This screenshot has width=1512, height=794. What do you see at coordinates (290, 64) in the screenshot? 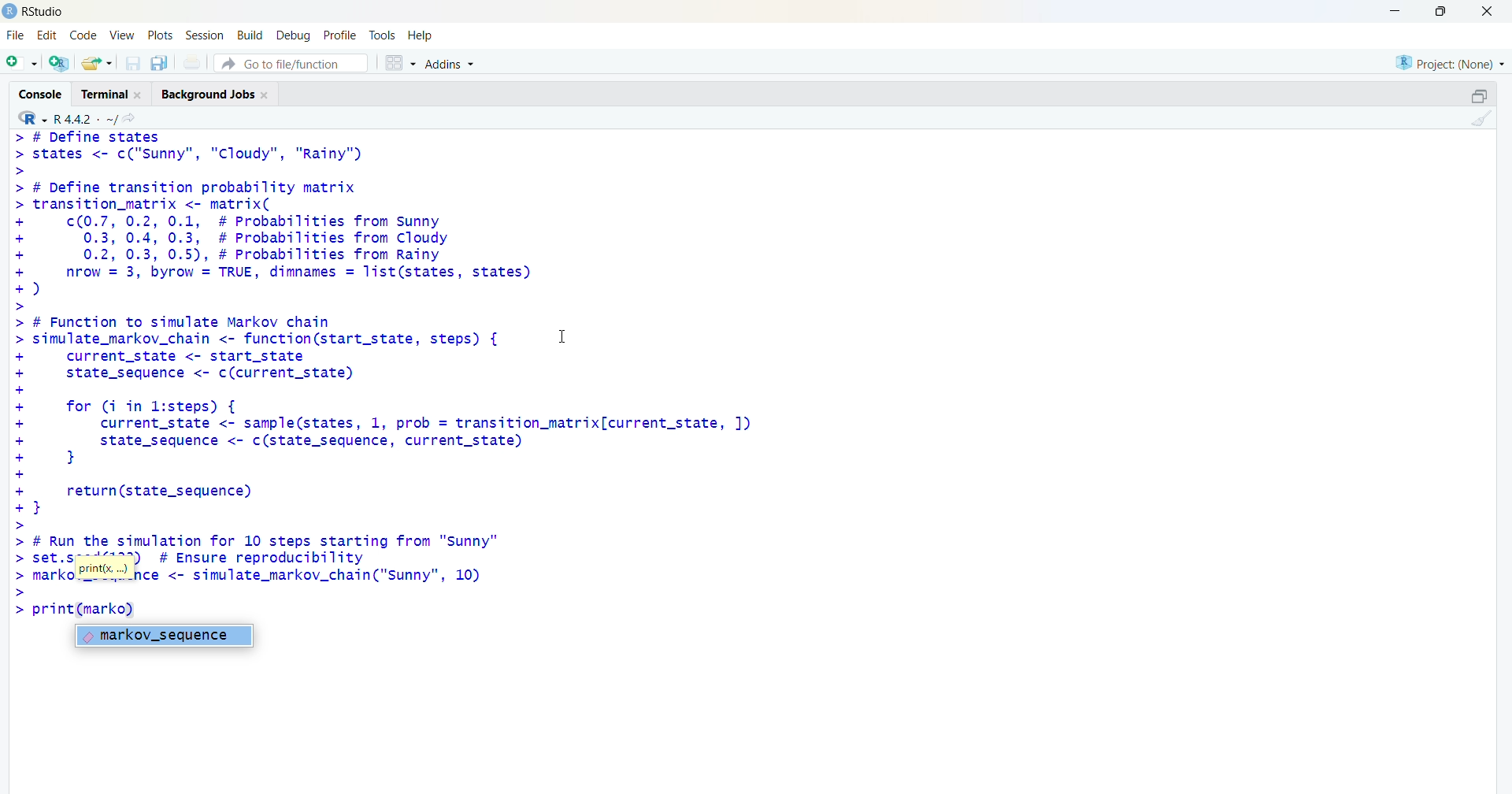
I see `go to file/function` at bounding box center [290, 64].